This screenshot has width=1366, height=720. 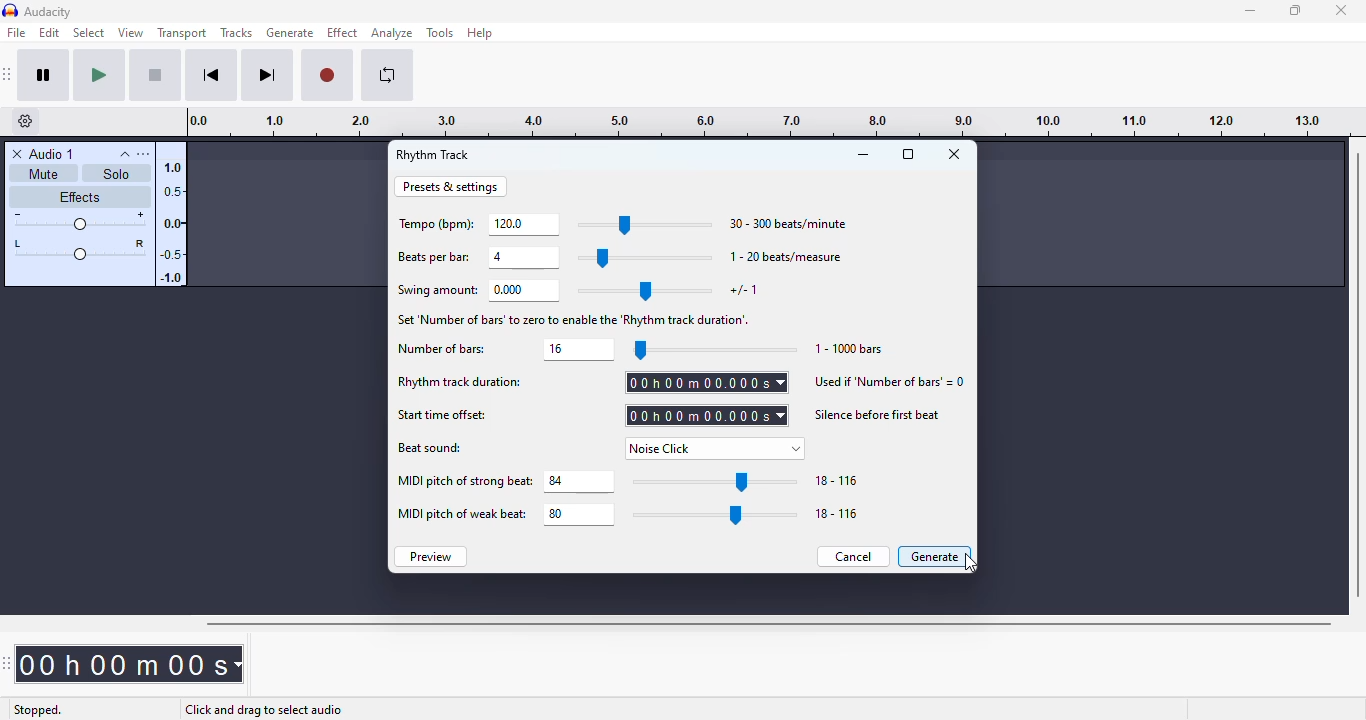 What do you see at coordinates (760, 122) in the screenshot?
I see `timeline` at bounding box center [760, 122].